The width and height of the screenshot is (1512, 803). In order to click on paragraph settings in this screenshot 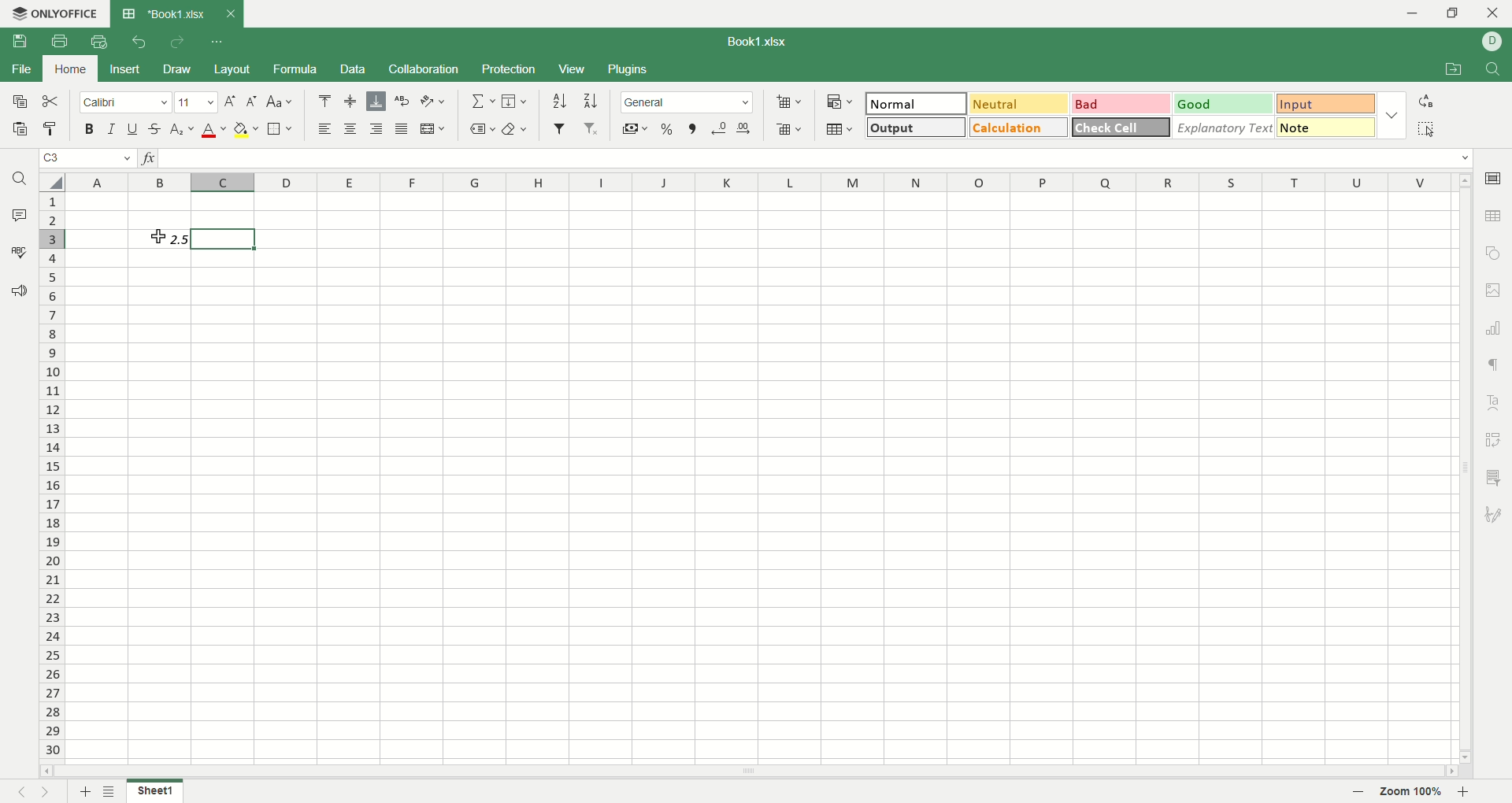, I will do `click(1494, 366)`.